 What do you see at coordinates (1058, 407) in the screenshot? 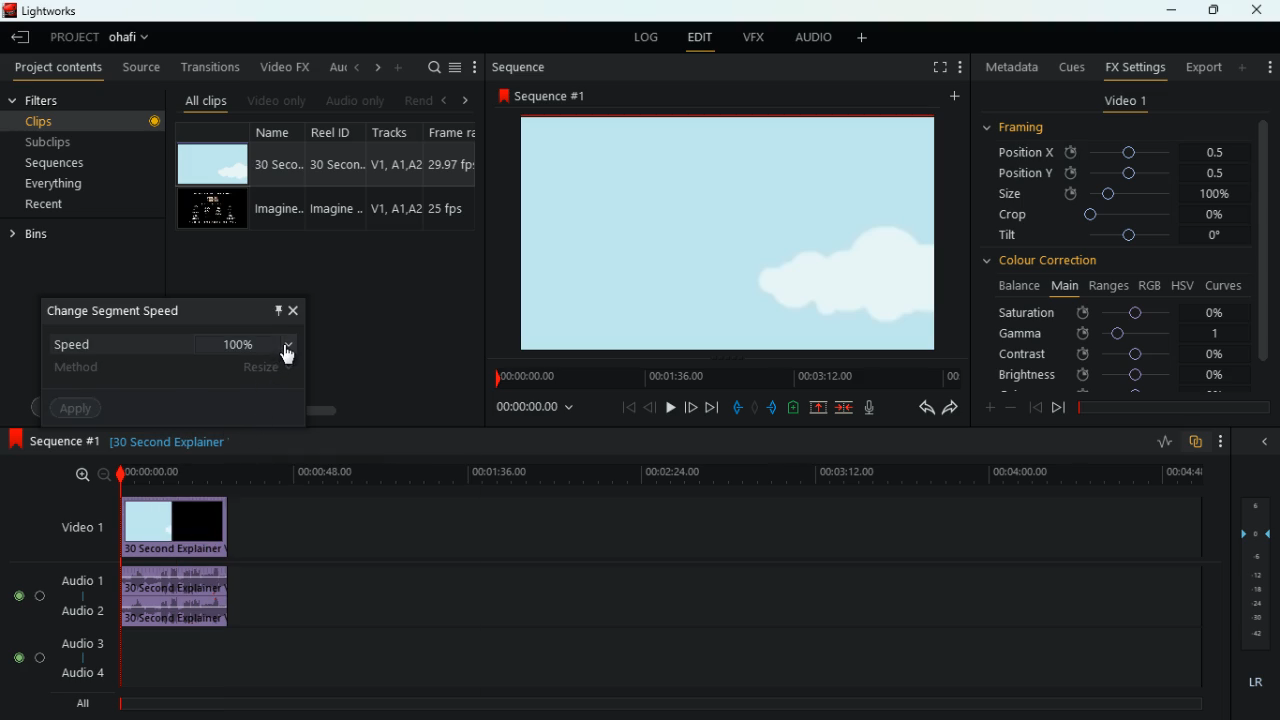
I see `end` at bounding box center [1058, 407].